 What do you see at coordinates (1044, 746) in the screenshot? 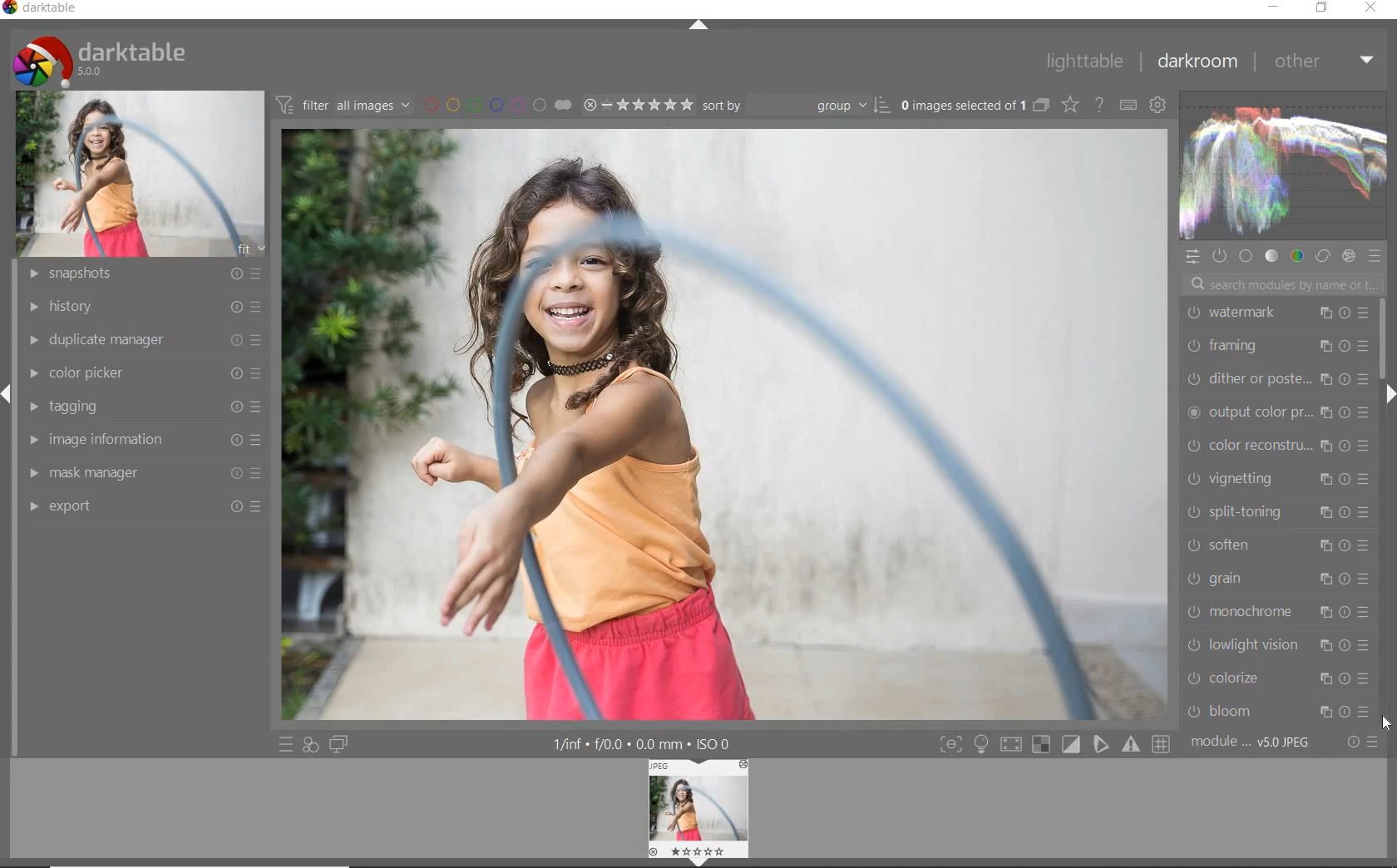
I see `toggle mode ` at bounding box center [1044, 746].